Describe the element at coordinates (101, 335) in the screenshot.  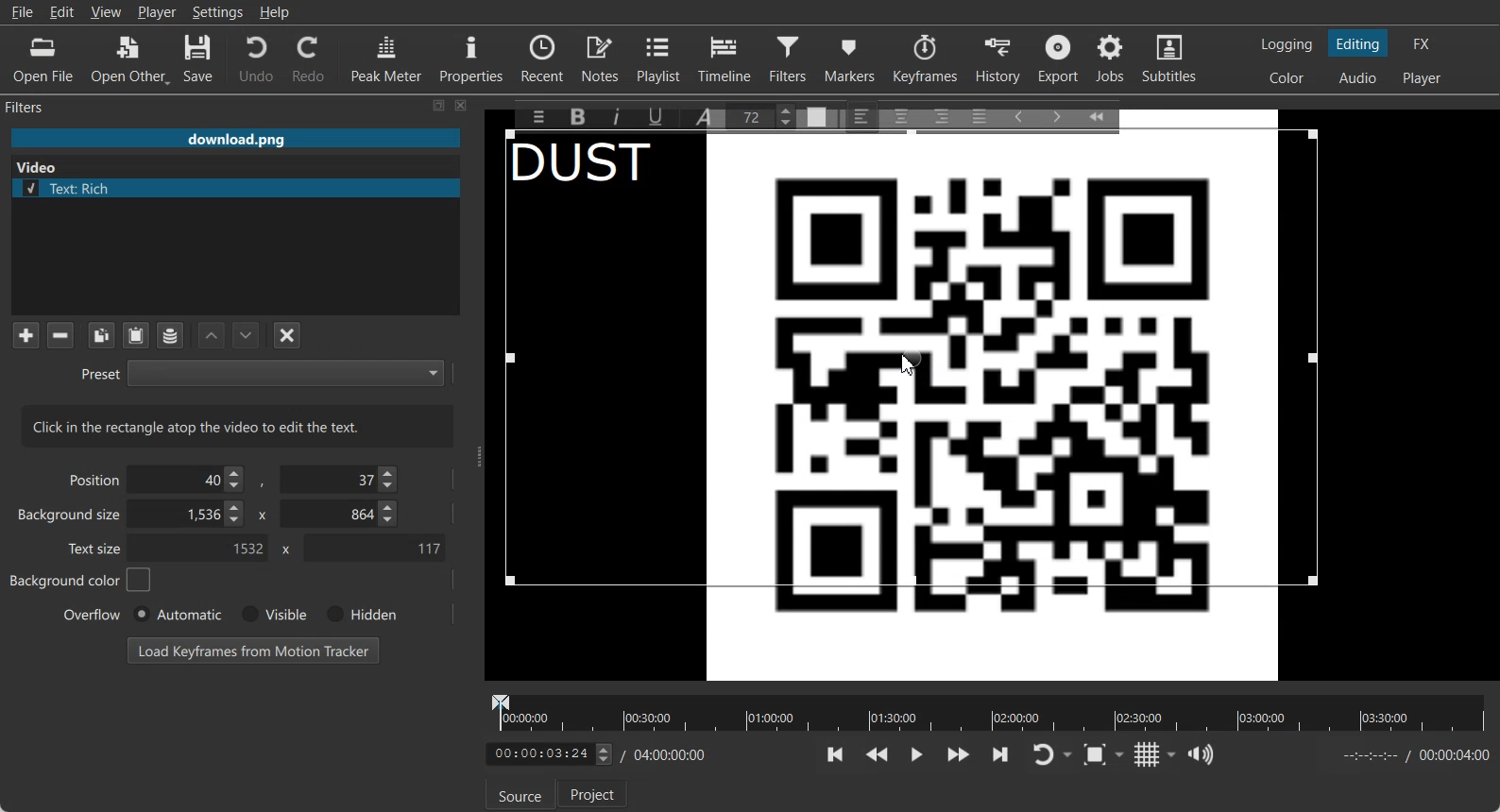
I see `Copy checked filters` at that location.